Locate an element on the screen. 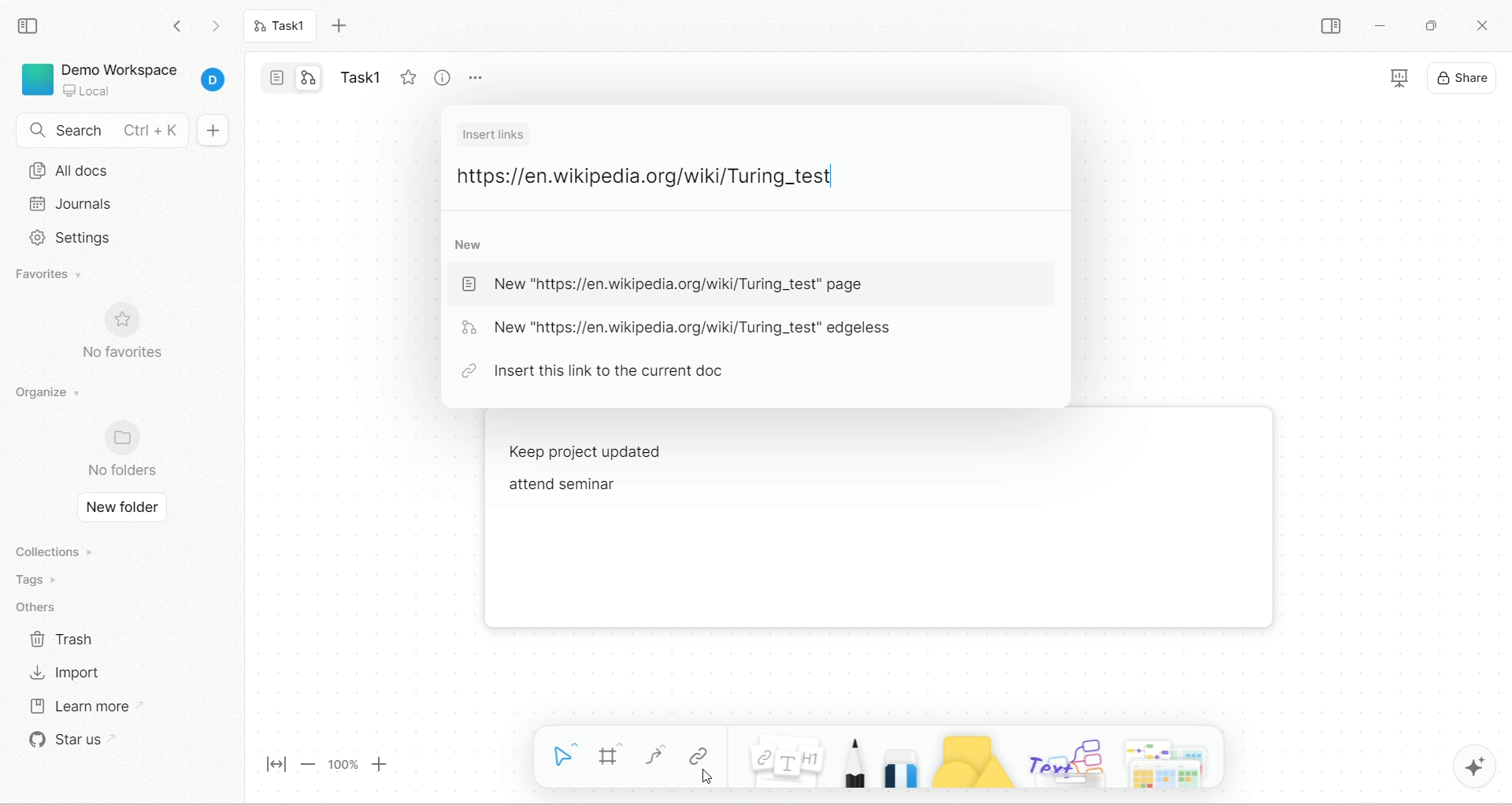 This screenshot has width=1512, height=805. logo is located at coordinates (35, 79).